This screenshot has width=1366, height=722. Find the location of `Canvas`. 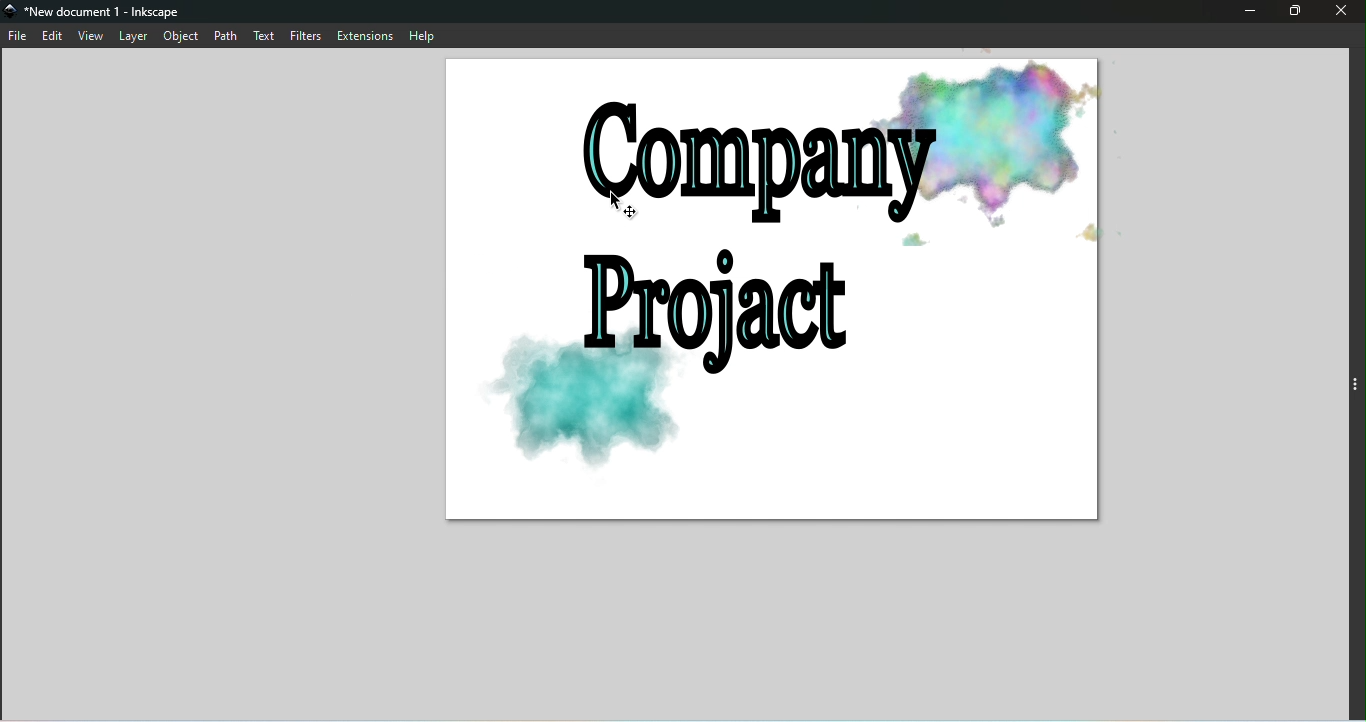

Canvas is located at coordinates (774, 300).